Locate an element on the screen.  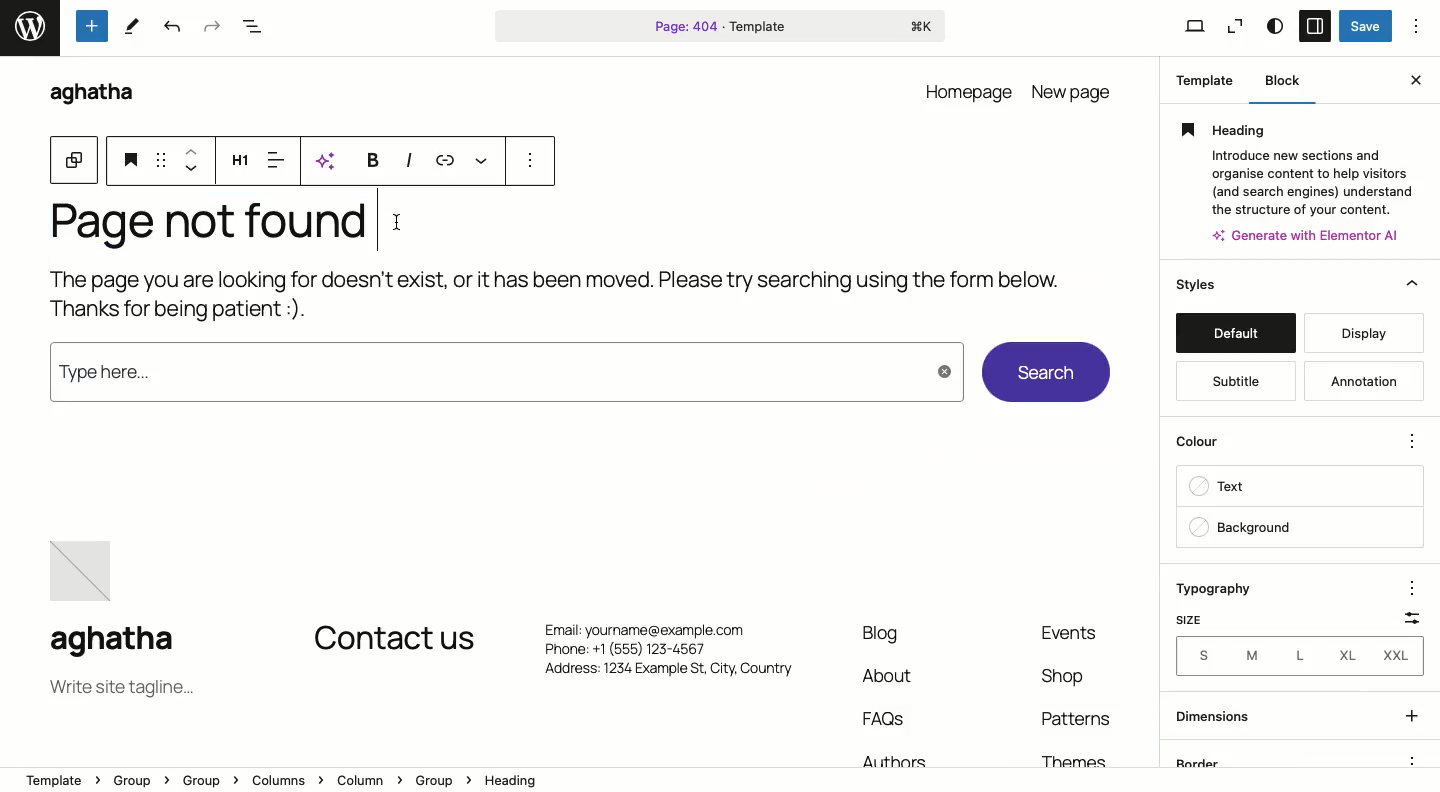
options is located at coordinates (531, 161).